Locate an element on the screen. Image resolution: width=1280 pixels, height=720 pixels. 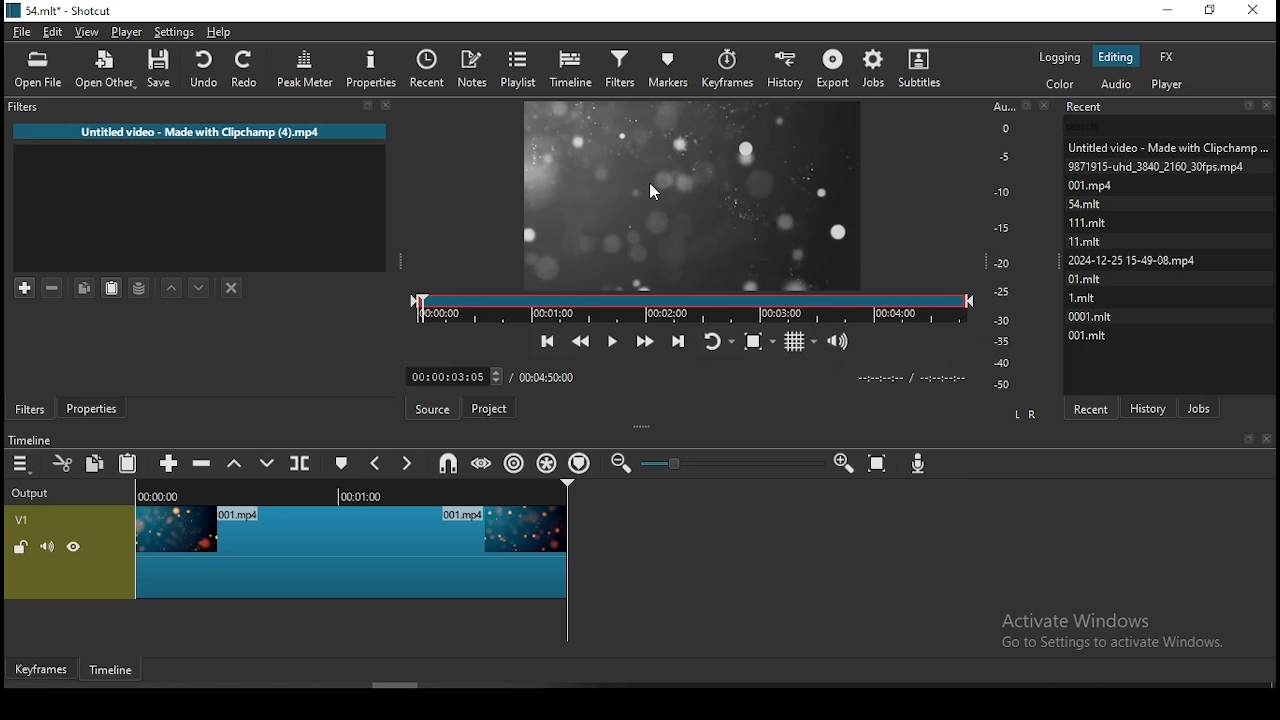
files is located at coordinates (1089, 317).